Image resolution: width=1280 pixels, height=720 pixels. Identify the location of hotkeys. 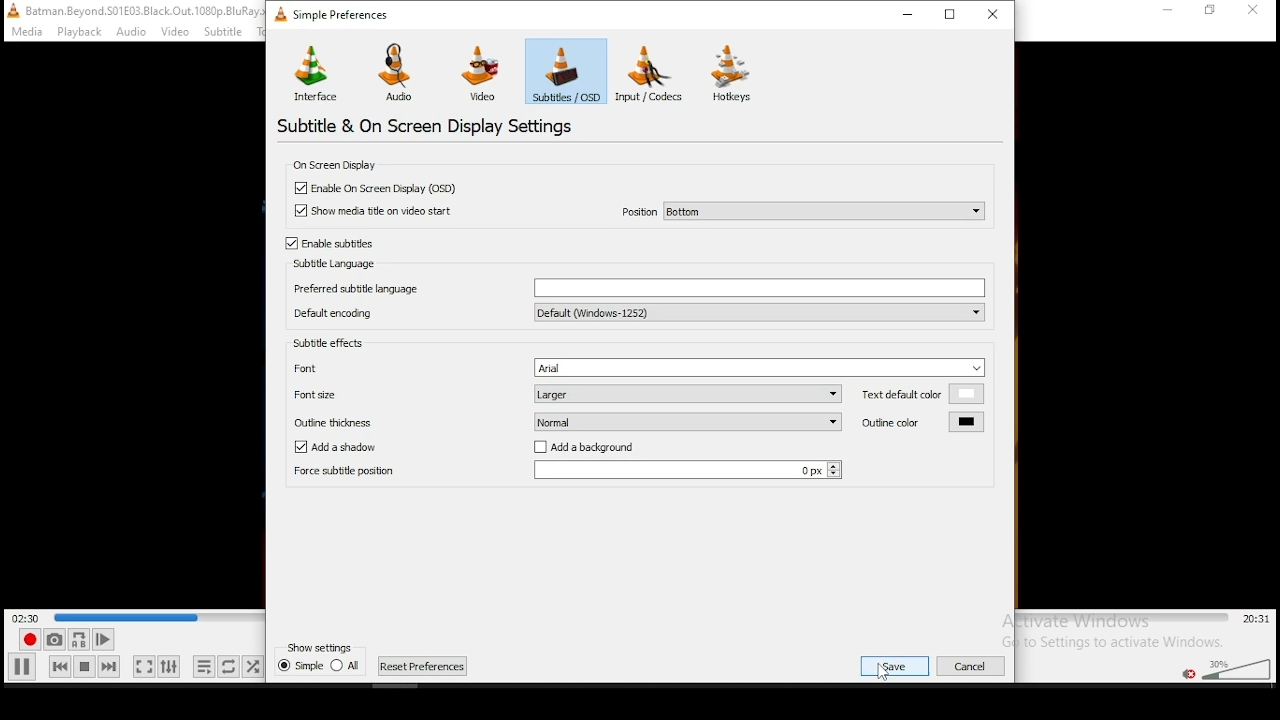
(732, 72).